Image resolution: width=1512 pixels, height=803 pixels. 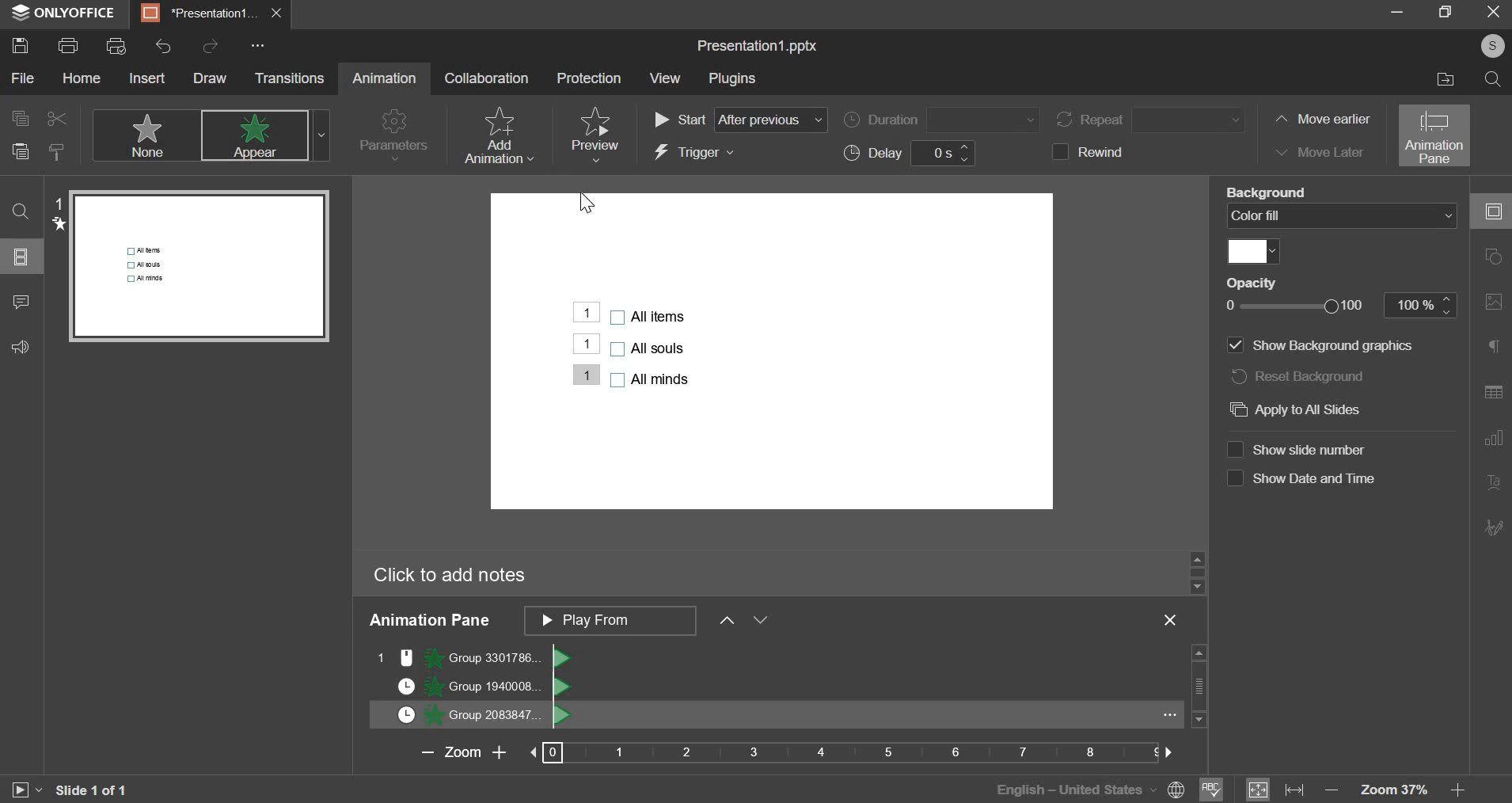 What do you see at coordinates (1320, 120) in the screenshot?
I see `move earlier` at bounding box center [1320, 120].